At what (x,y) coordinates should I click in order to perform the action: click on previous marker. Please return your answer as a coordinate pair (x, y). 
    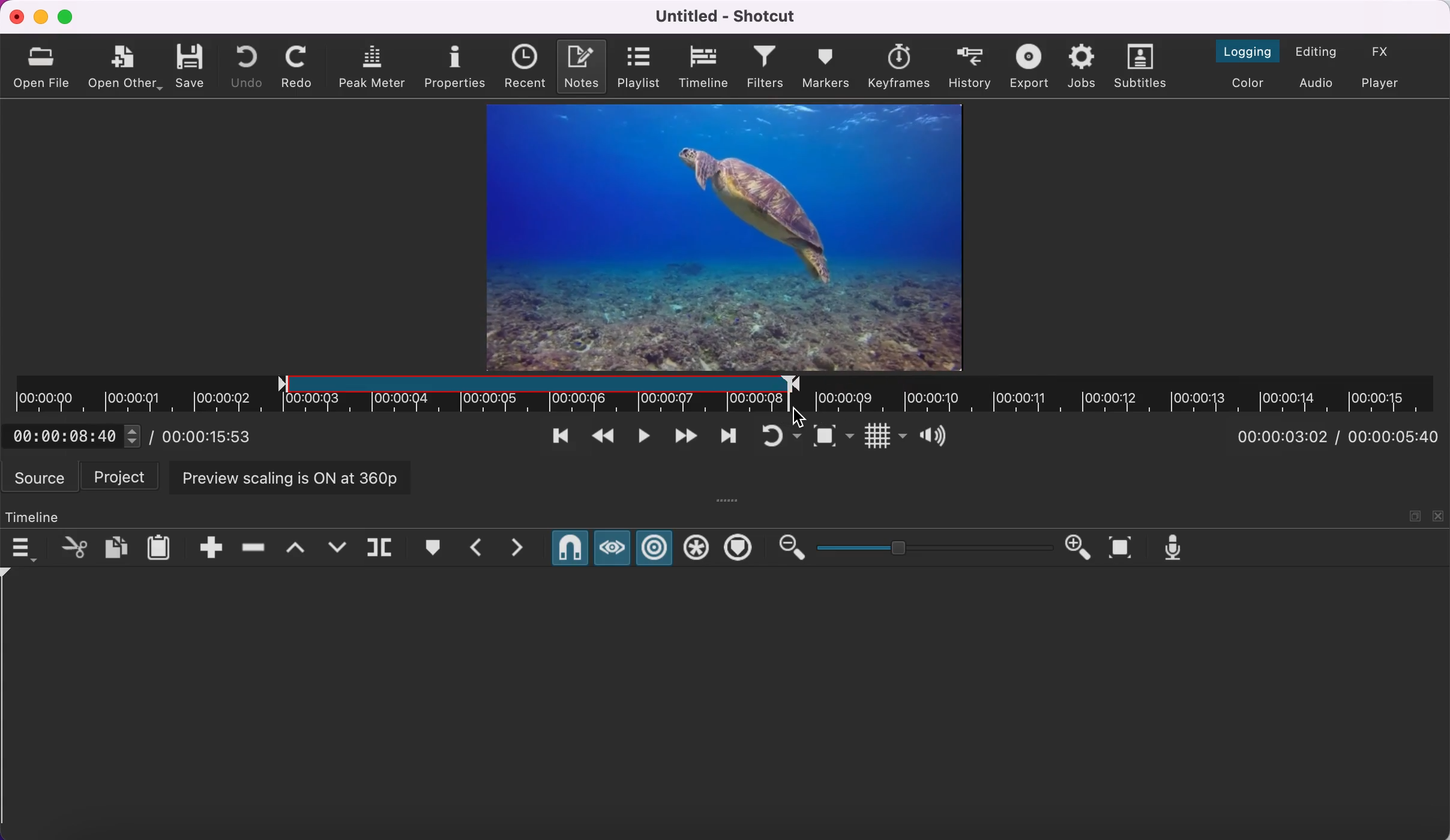
    Looking at the image, I should click on (476, 547).